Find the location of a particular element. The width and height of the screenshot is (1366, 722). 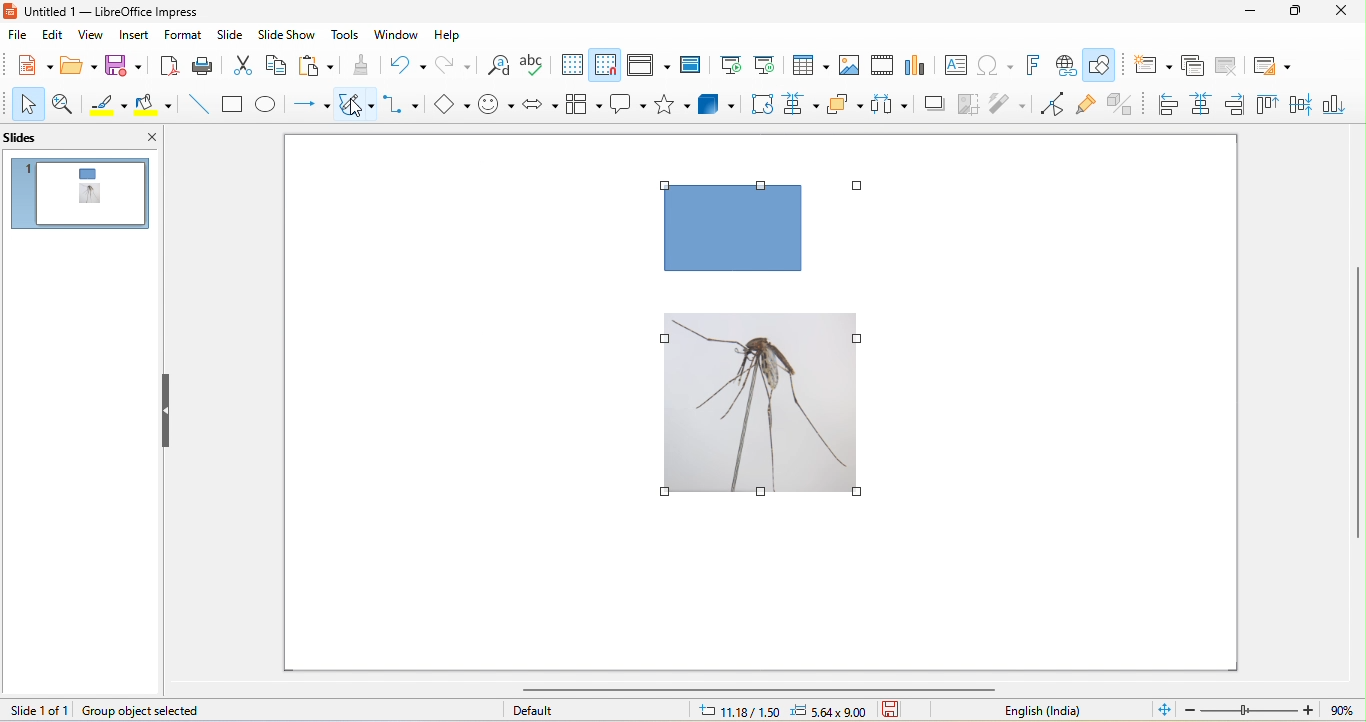

export directly as pdf is located at coordinates (170, 67).